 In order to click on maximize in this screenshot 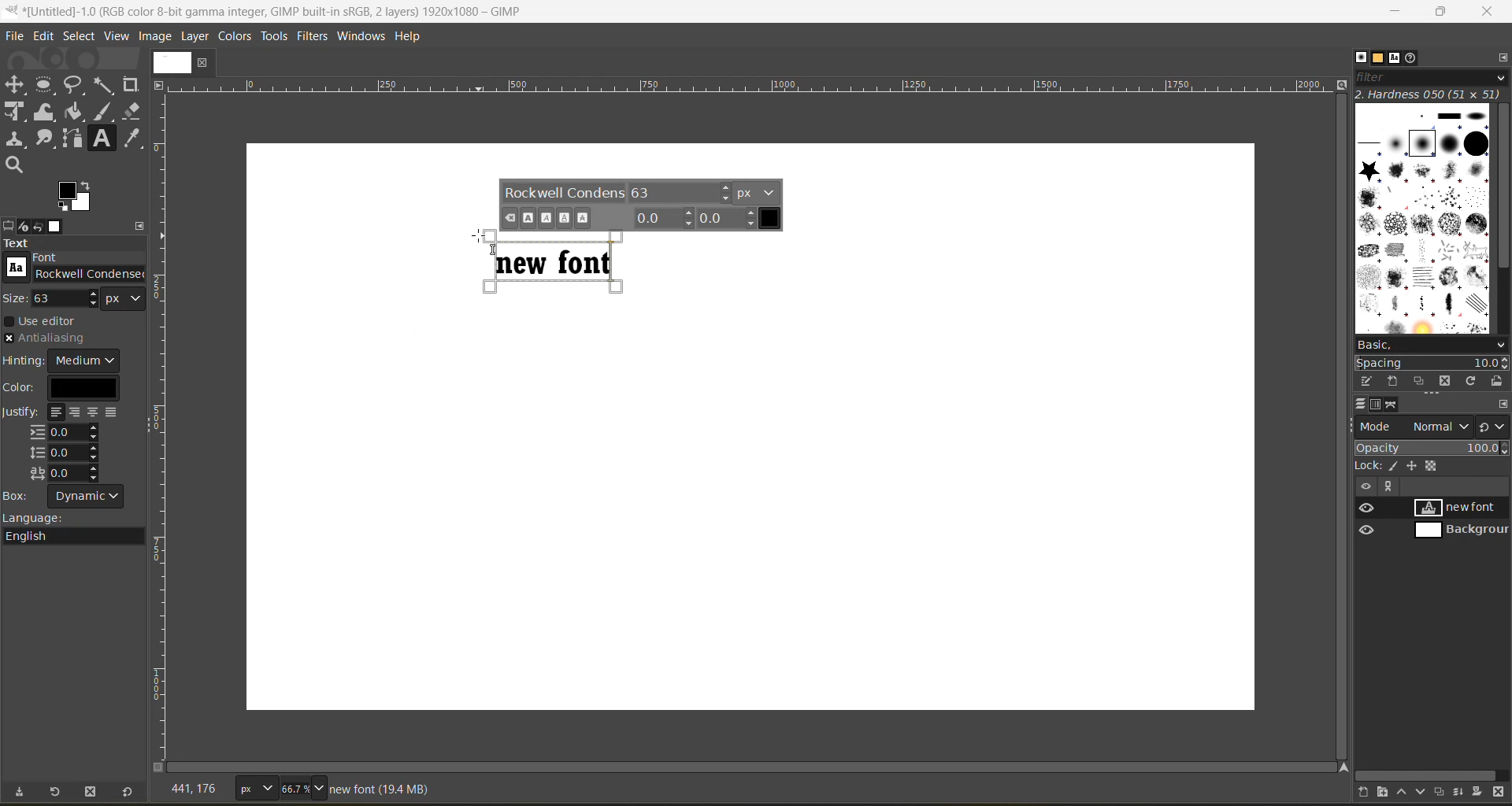, I will do `click(1440, 14)`.